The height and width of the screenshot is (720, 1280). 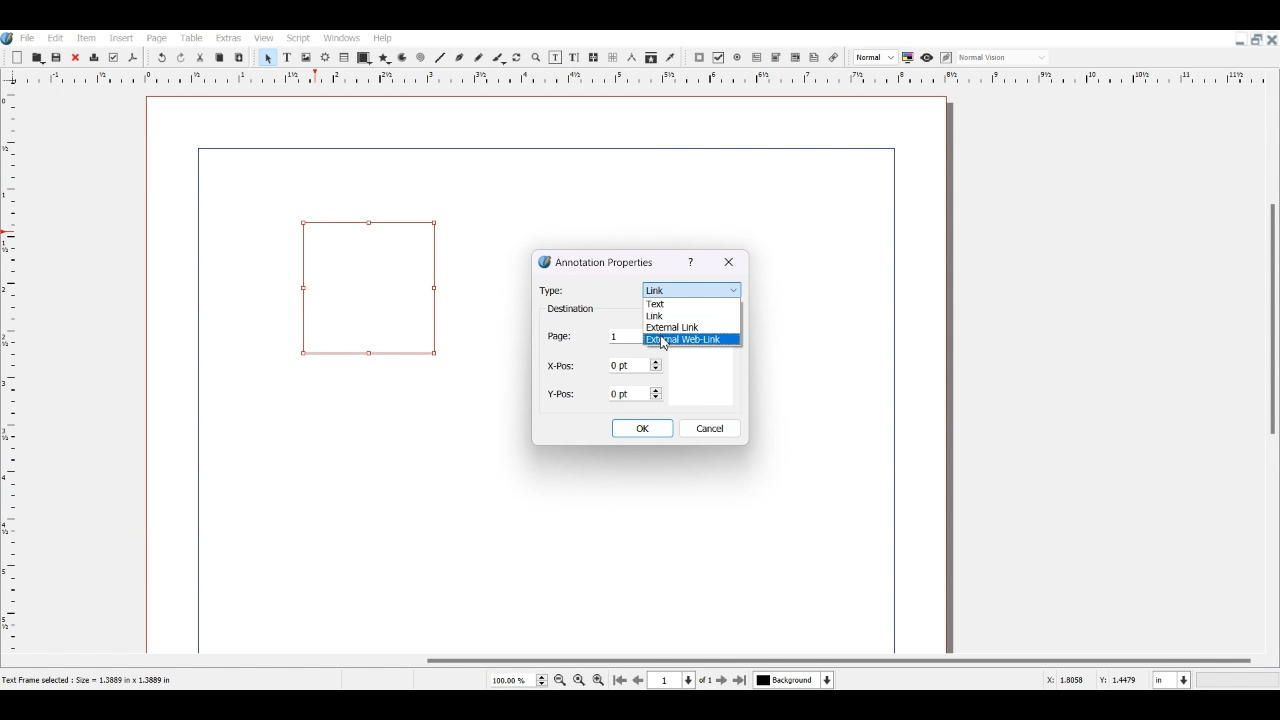 What do you see at coordinates (133, 58) in the screenshot?
I see `Save as PDF` at bounding box center [133, 58].